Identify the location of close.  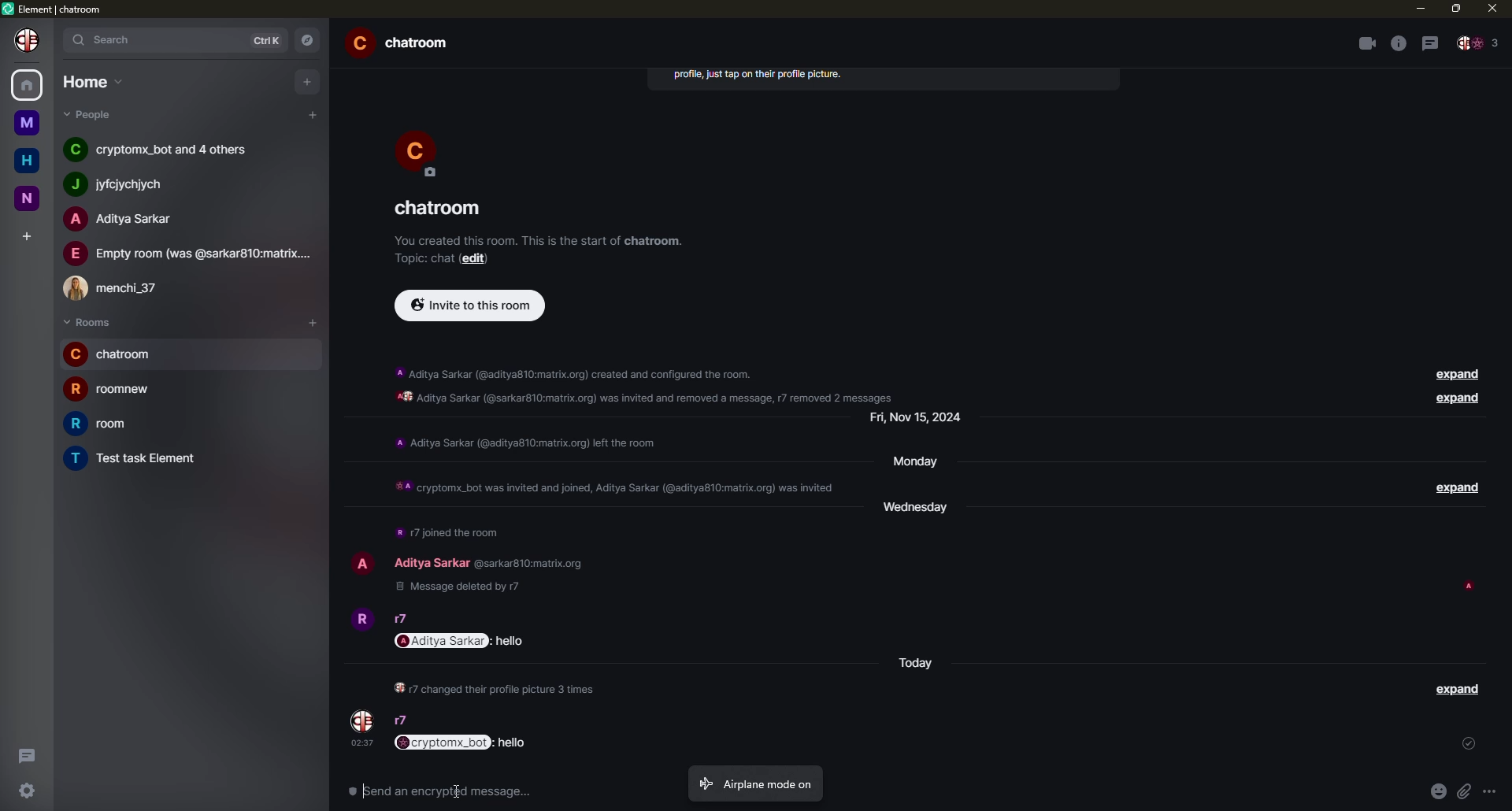
(1491, 9).